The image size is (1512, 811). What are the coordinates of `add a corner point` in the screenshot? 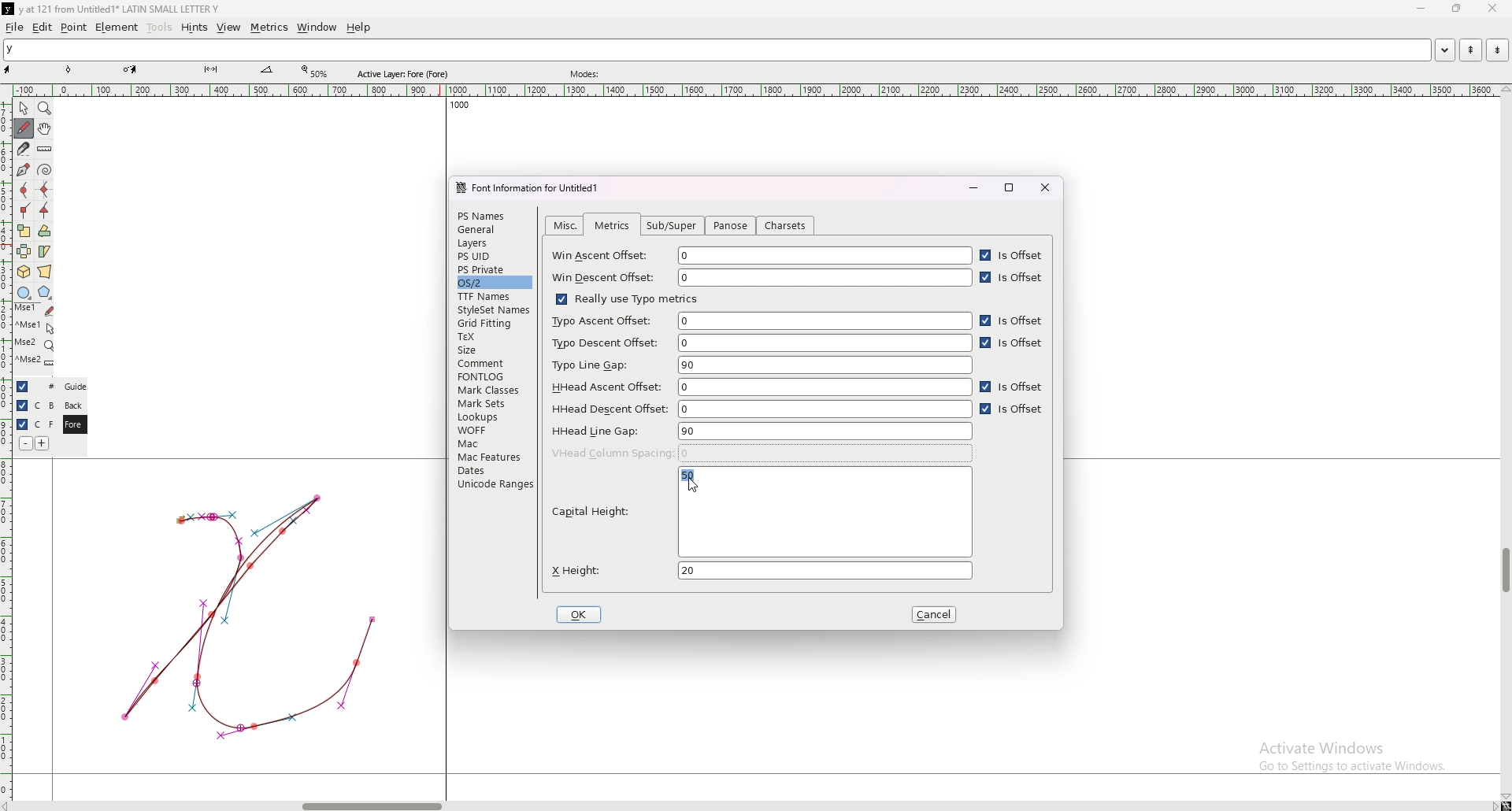 It's located at (24, 210).